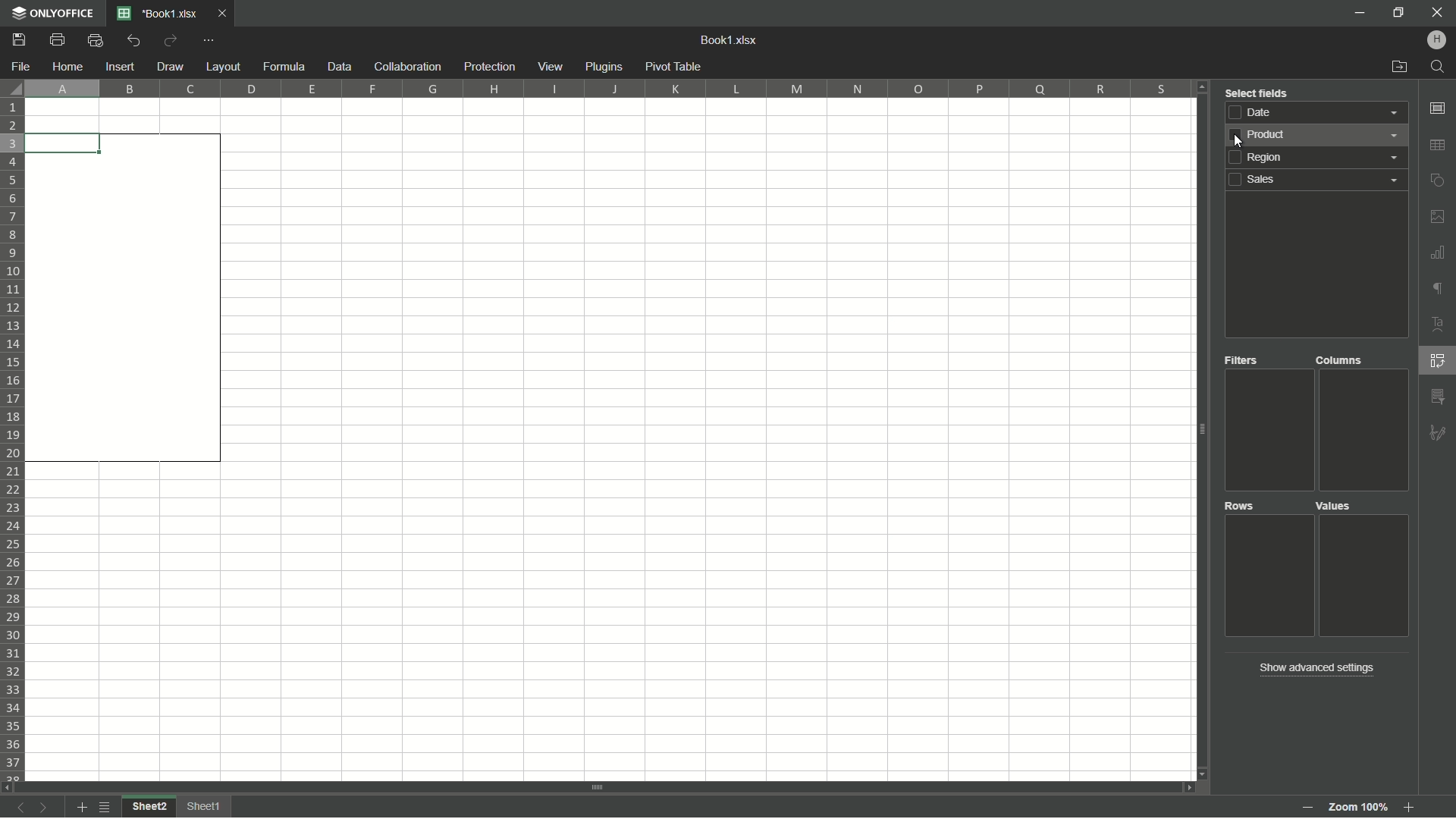 The height and width of the screenshot is (819, 1456). Describe the element at coordinates (127, 621) in the screenshot. I see `cells` at that location.